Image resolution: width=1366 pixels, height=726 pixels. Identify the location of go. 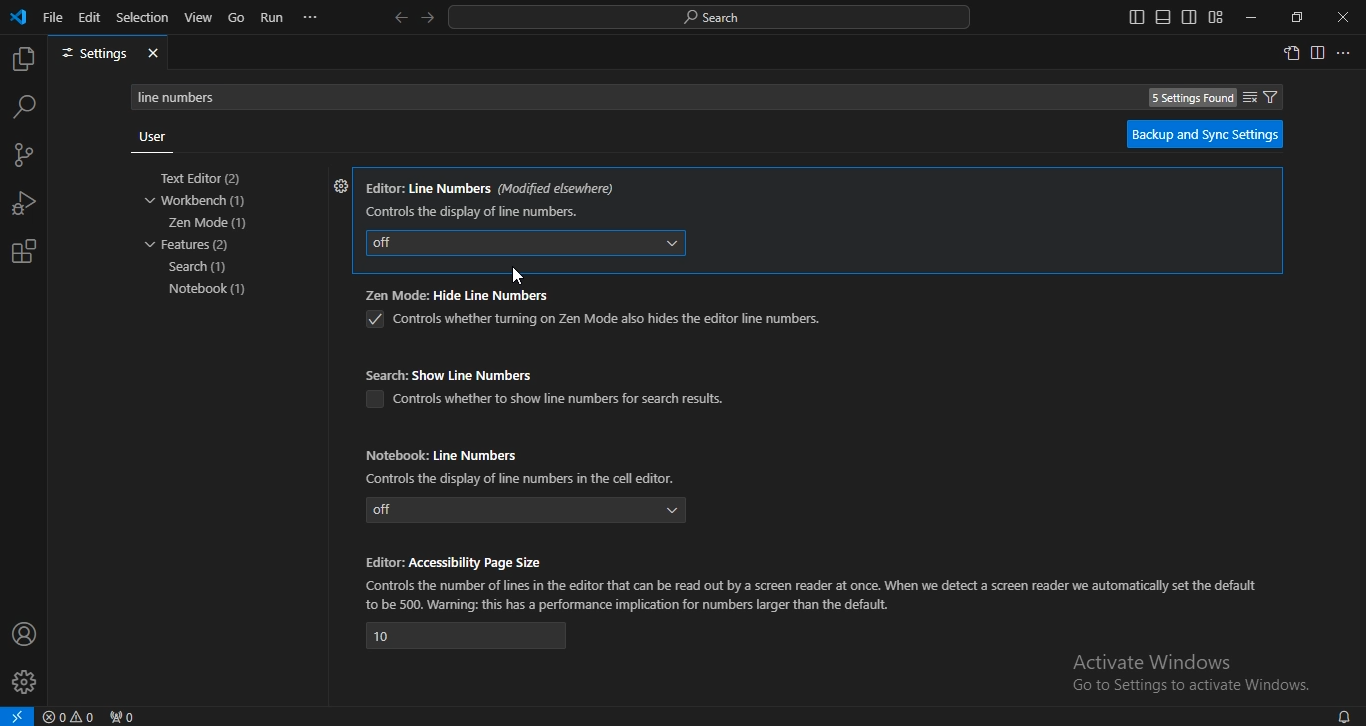
(237, 19).